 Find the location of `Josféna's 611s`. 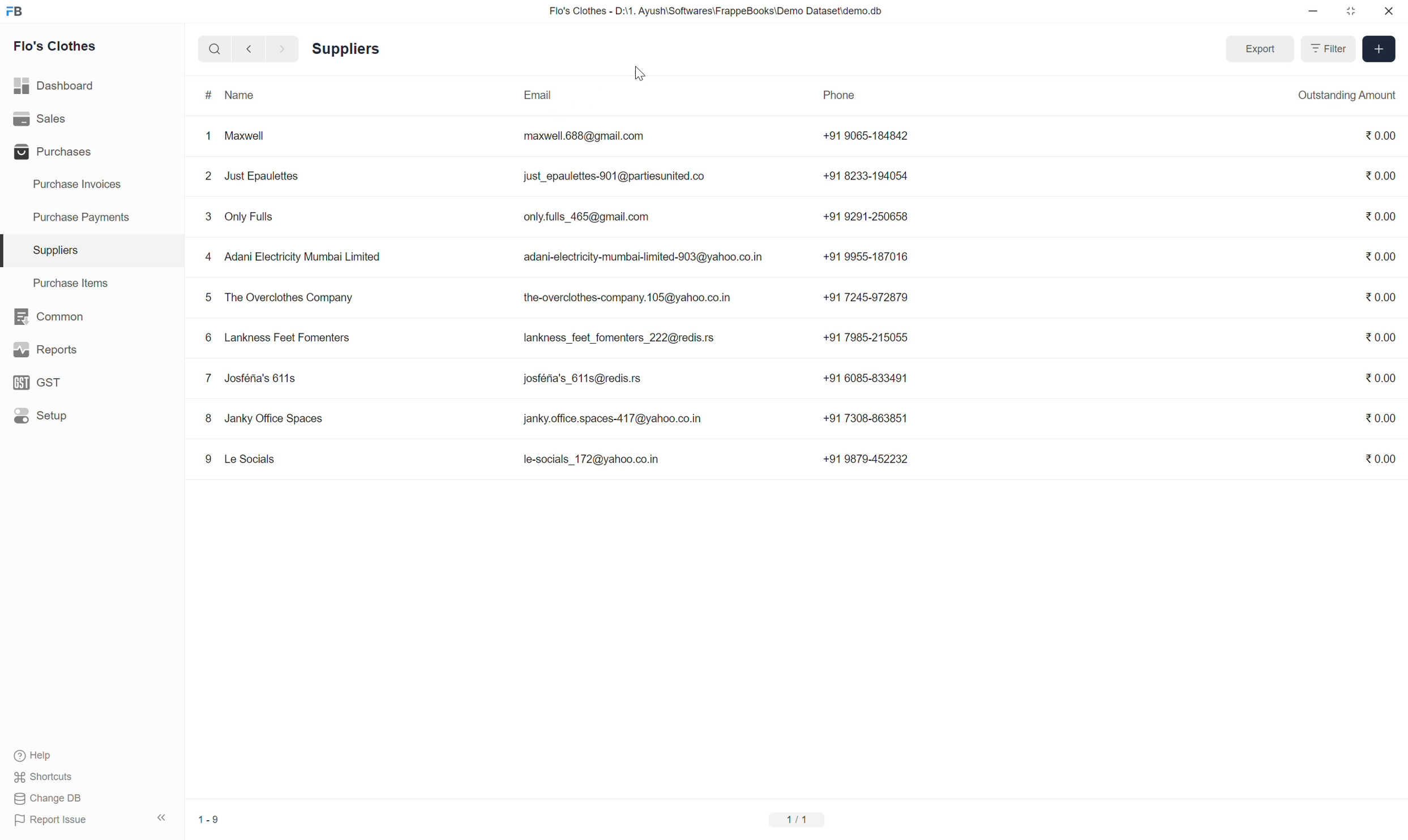

Josféna's 611s is located at coordinates (262, 379).